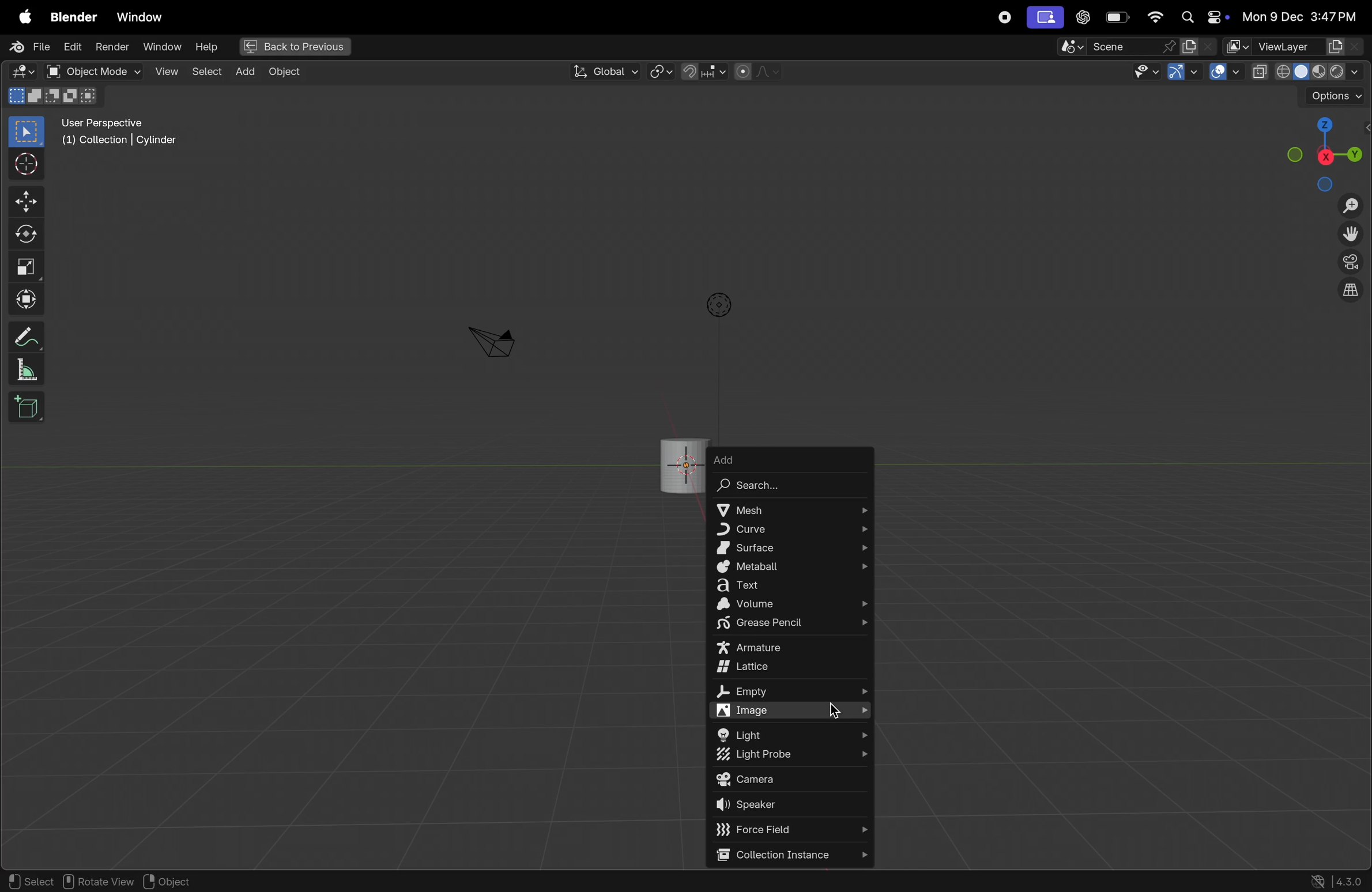 This screenshot has width=1372, height=892. I want to click on turning of pviot point, so click(661, 70).